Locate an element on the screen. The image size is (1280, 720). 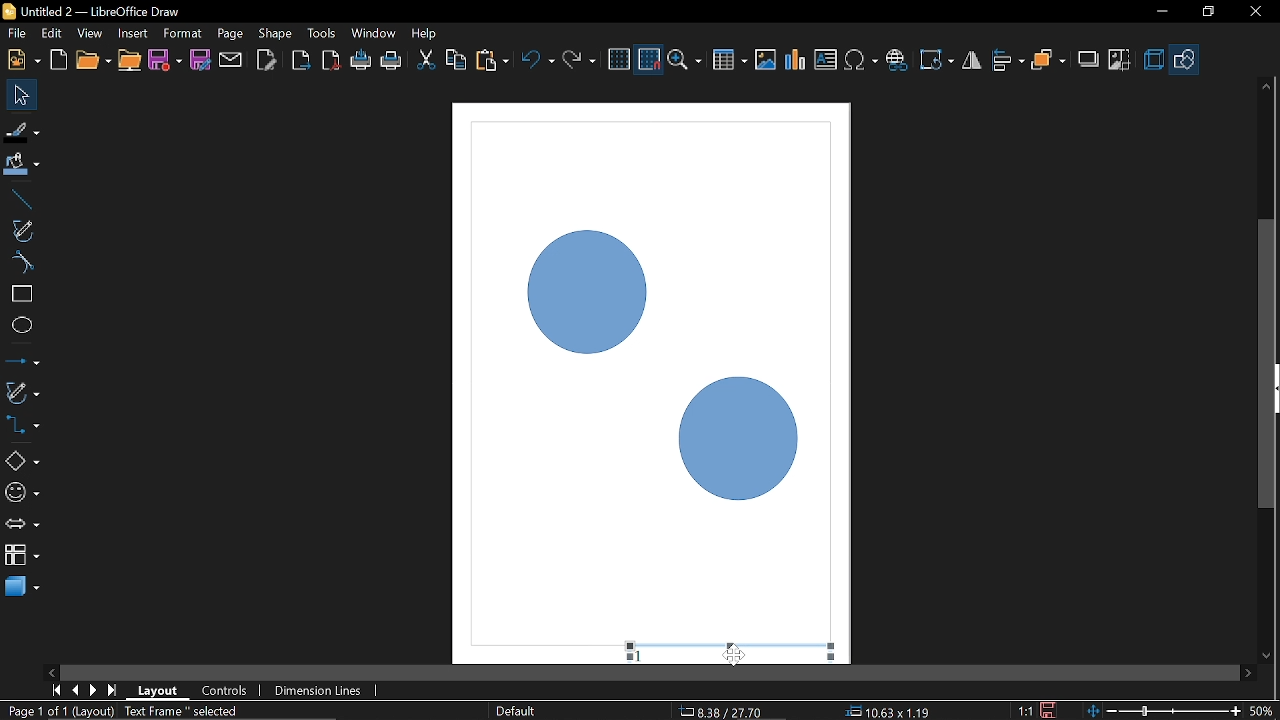
3d shapes is located at coordinates (22, 585).